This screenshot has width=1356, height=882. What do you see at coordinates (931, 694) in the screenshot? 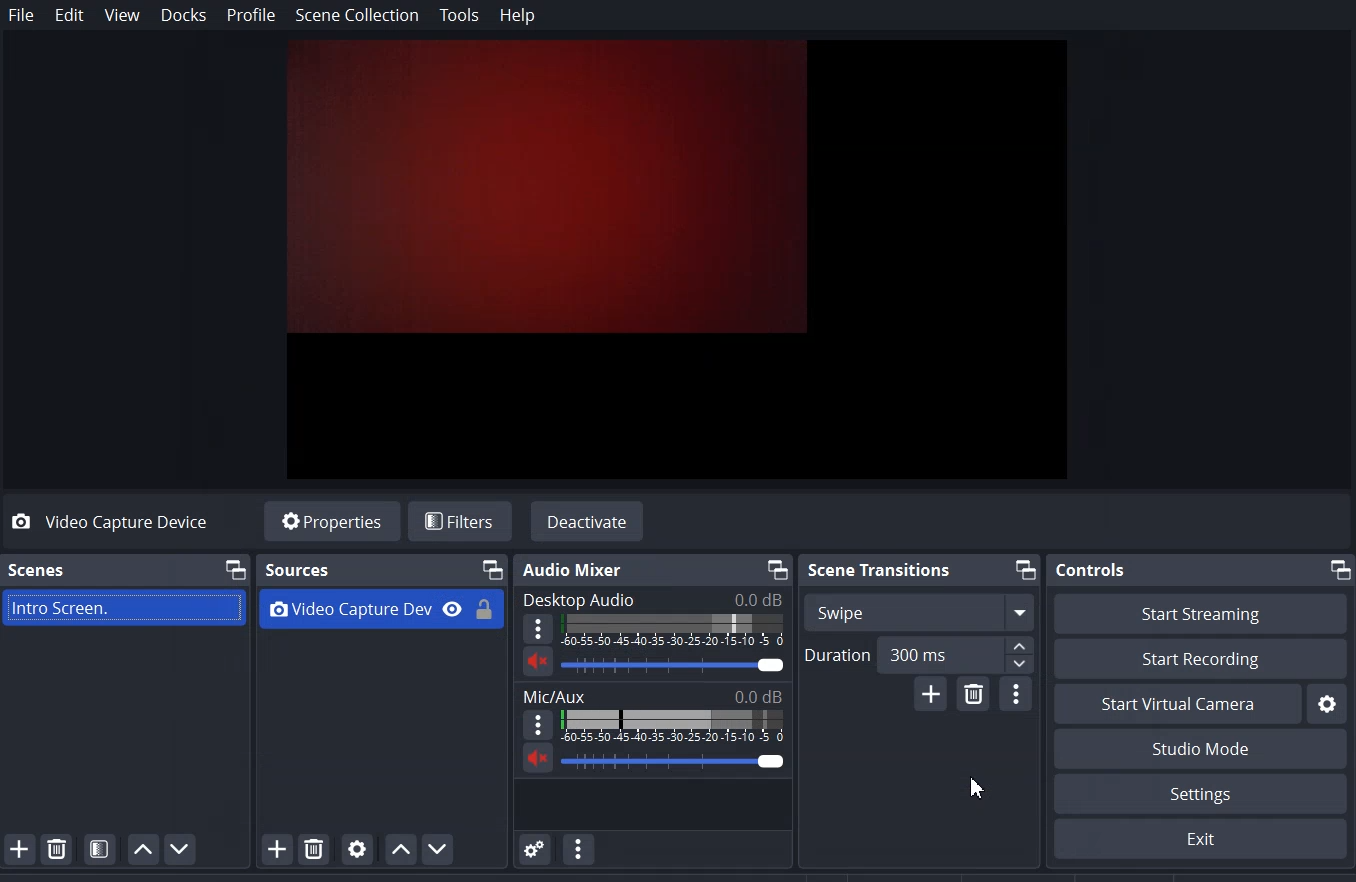
I see `Add Configurable transition` at bounding box center [931, 694].